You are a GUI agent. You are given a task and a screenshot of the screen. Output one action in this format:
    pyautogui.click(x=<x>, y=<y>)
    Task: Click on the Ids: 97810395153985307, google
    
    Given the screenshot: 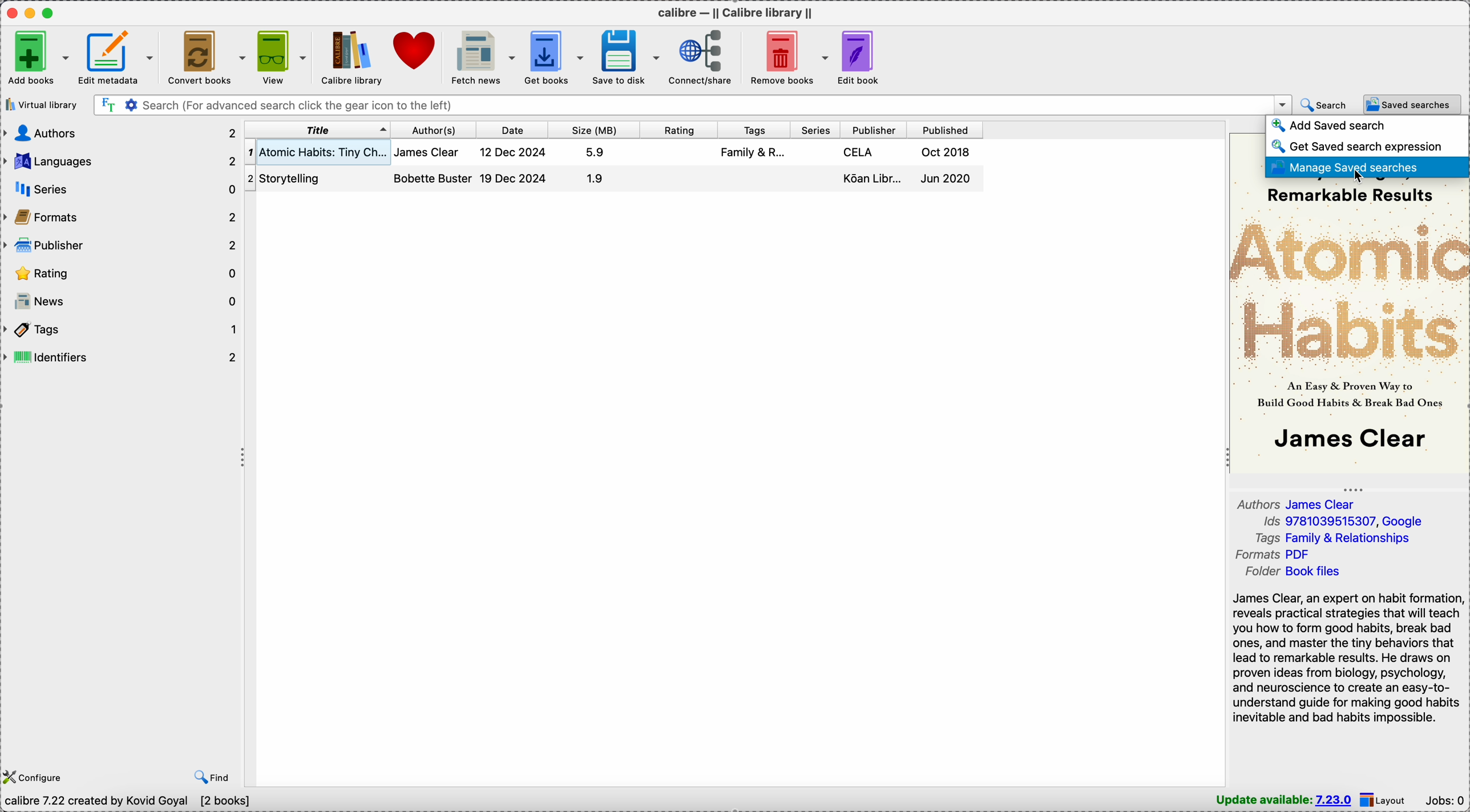 What is the action you would take?
    pyautogui.click(x=1342, y=522)
    